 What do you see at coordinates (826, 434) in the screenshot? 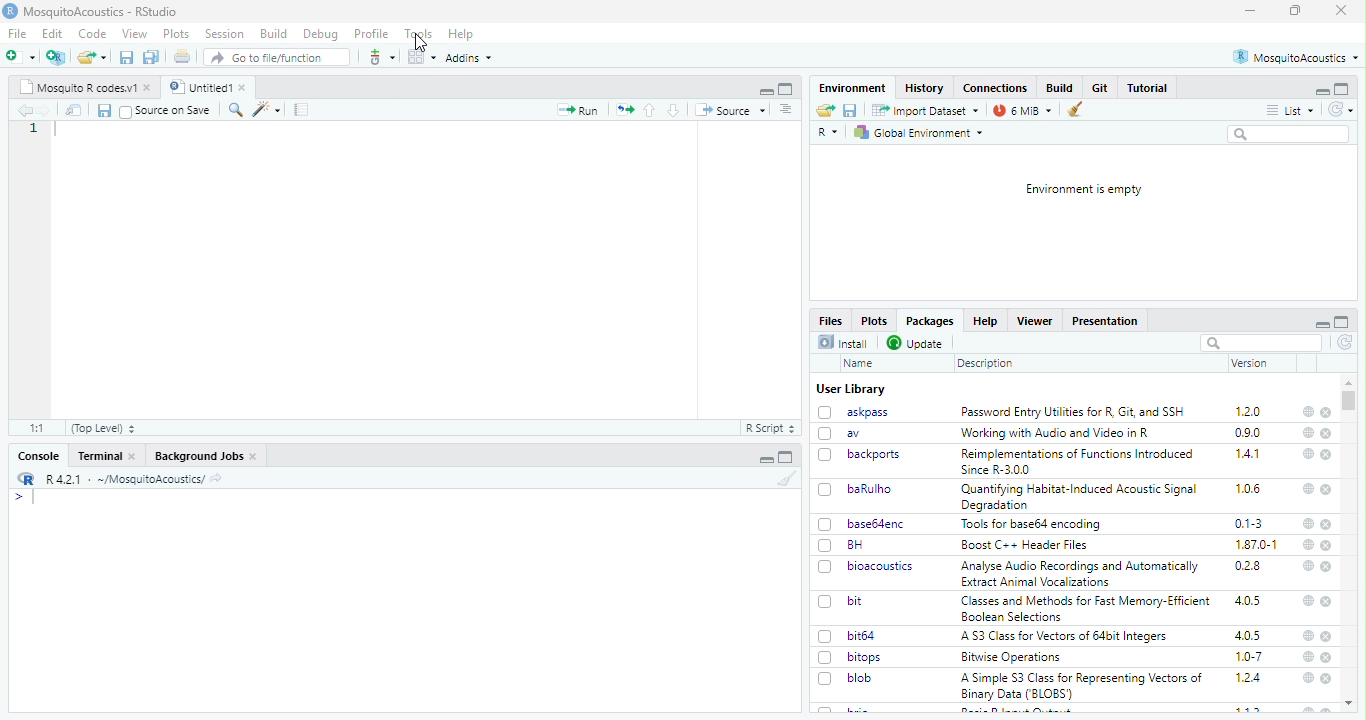
I see `checkbox` at bounding box center [826, 434].